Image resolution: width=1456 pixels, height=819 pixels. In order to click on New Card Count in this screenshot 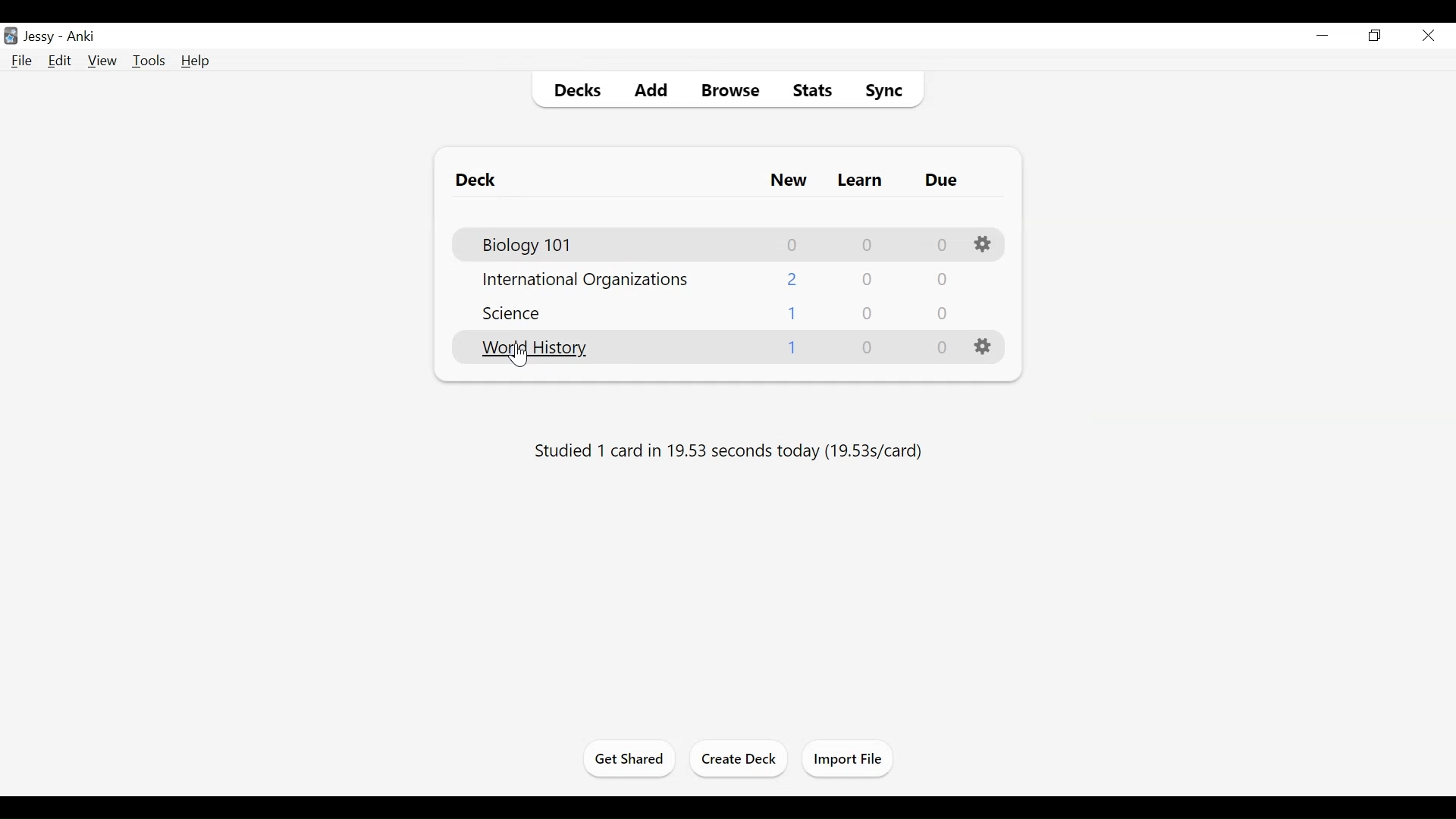, I will do `click(786, 180)`.